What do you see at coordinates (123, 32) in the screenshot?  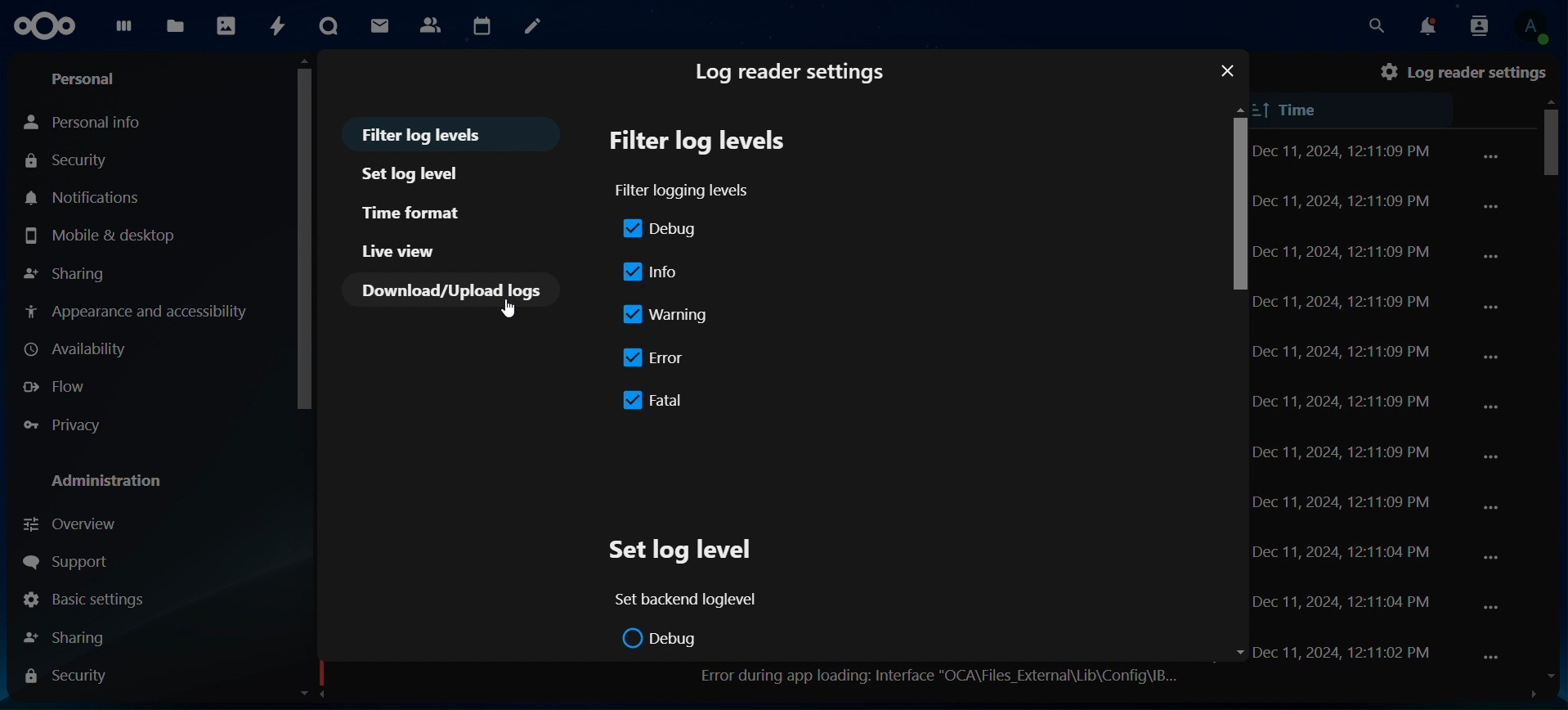 I see `dashboard` at bounding box center [123, 32].